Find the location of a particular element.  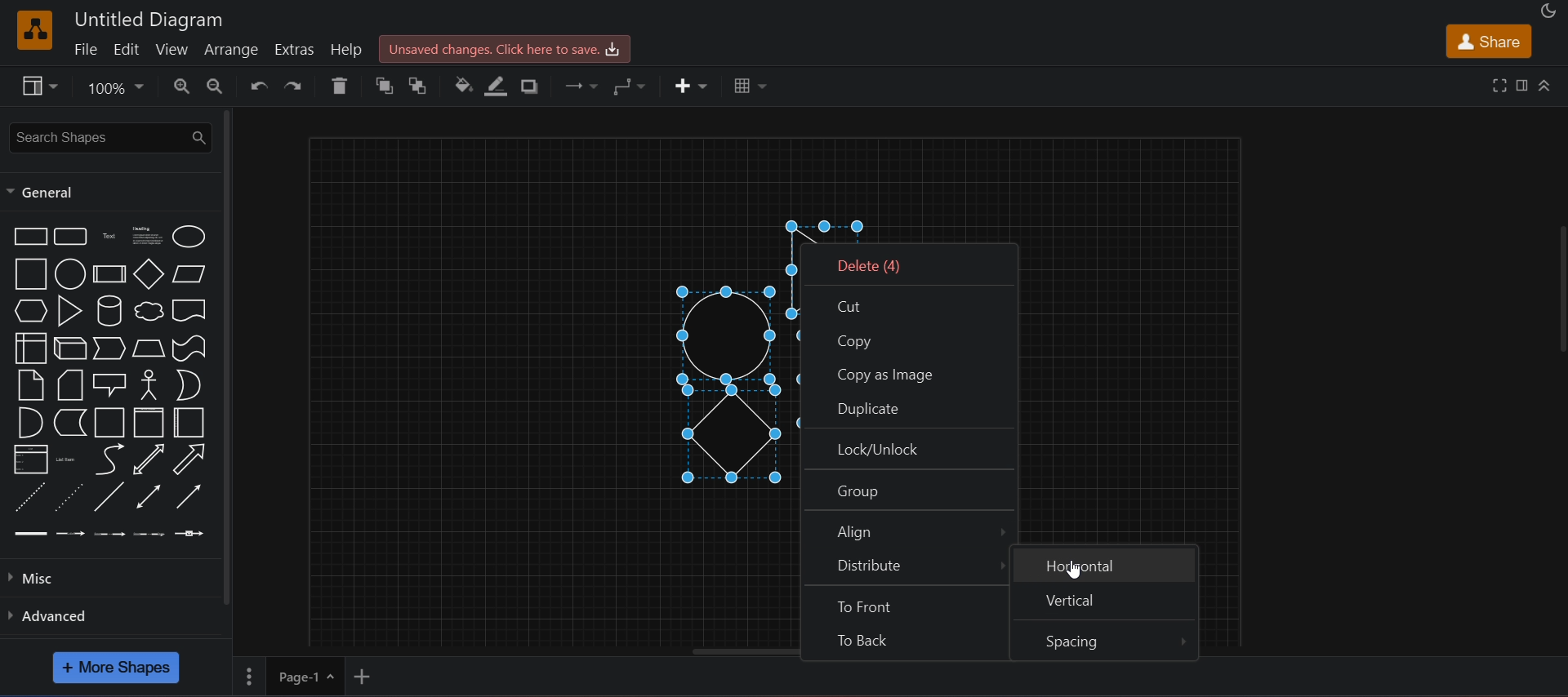

document is located at coordinates (189, 311).